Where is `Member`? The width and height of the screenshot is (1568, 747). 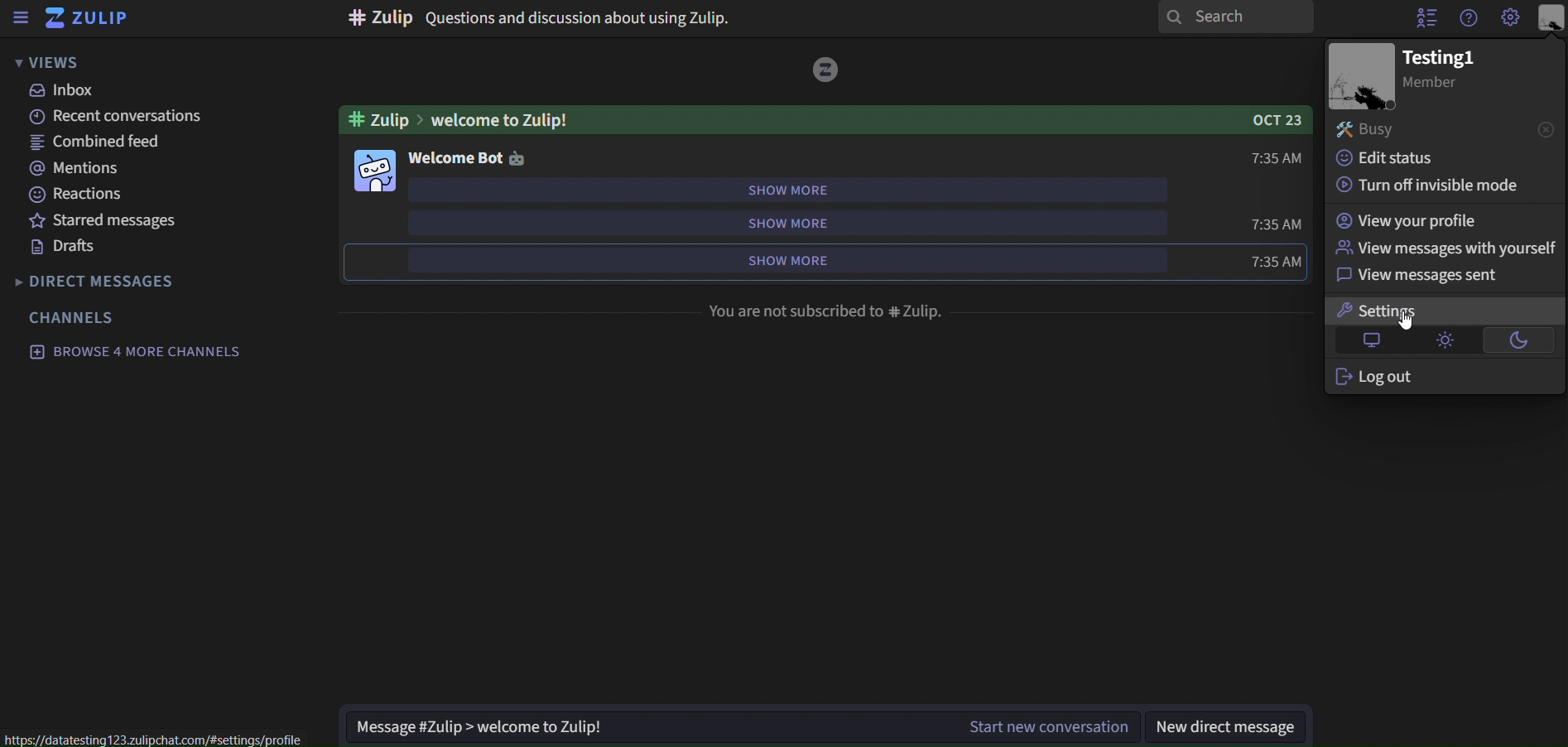
Member is located at coordinates (1434, 84).